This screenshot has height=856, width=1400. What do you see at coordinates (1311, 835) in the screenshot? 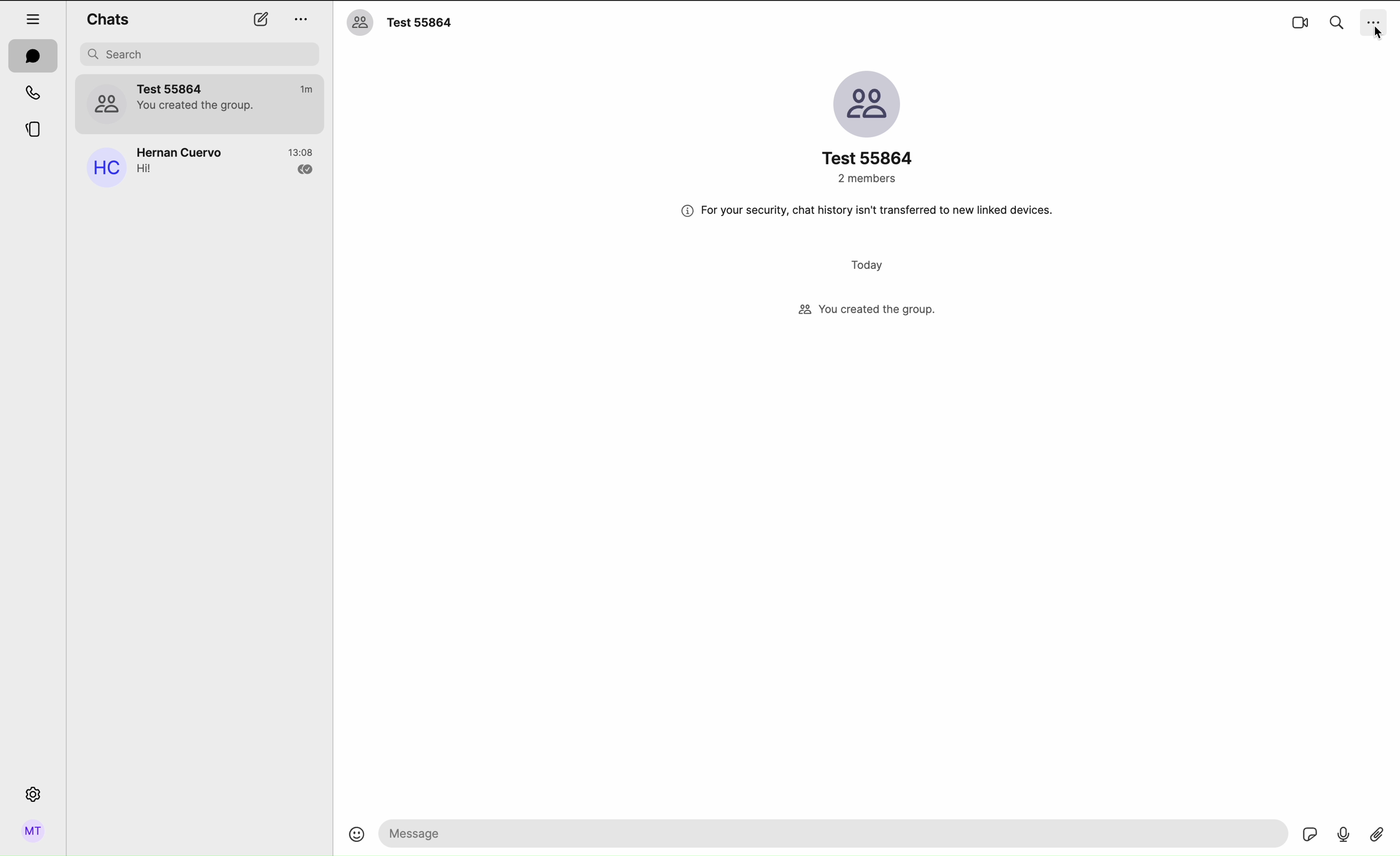
I see `sticker` at bounding box center [1311, 835].